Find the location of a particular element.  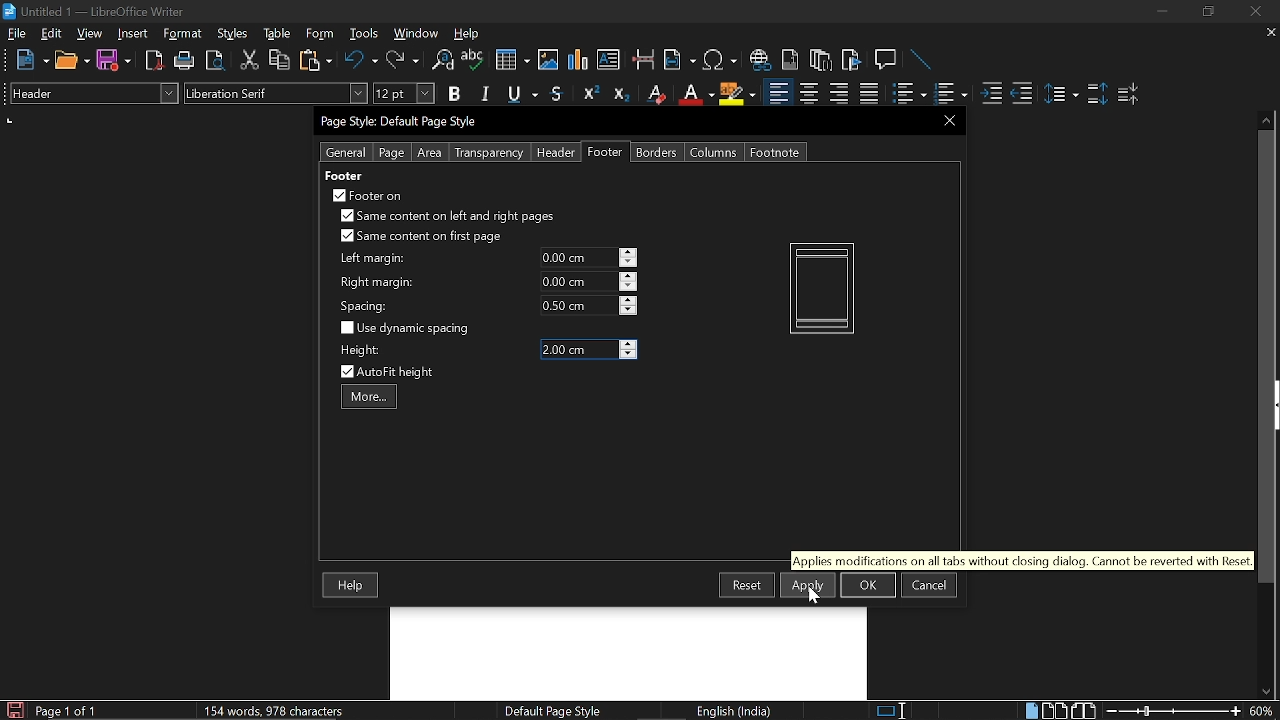

increase right margin is located at coordinates (629, 276).